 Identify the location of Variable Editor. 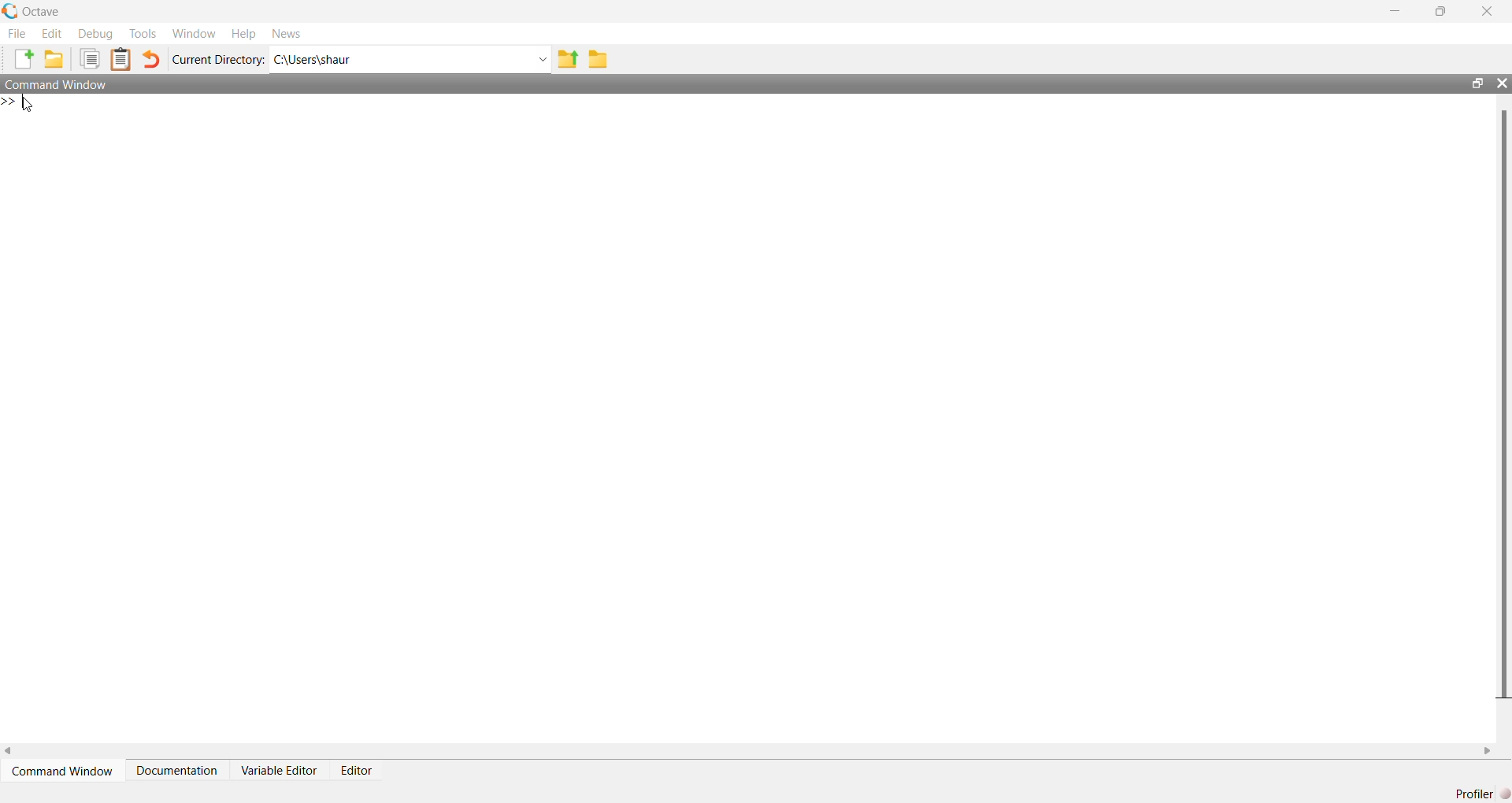
(280, 771).